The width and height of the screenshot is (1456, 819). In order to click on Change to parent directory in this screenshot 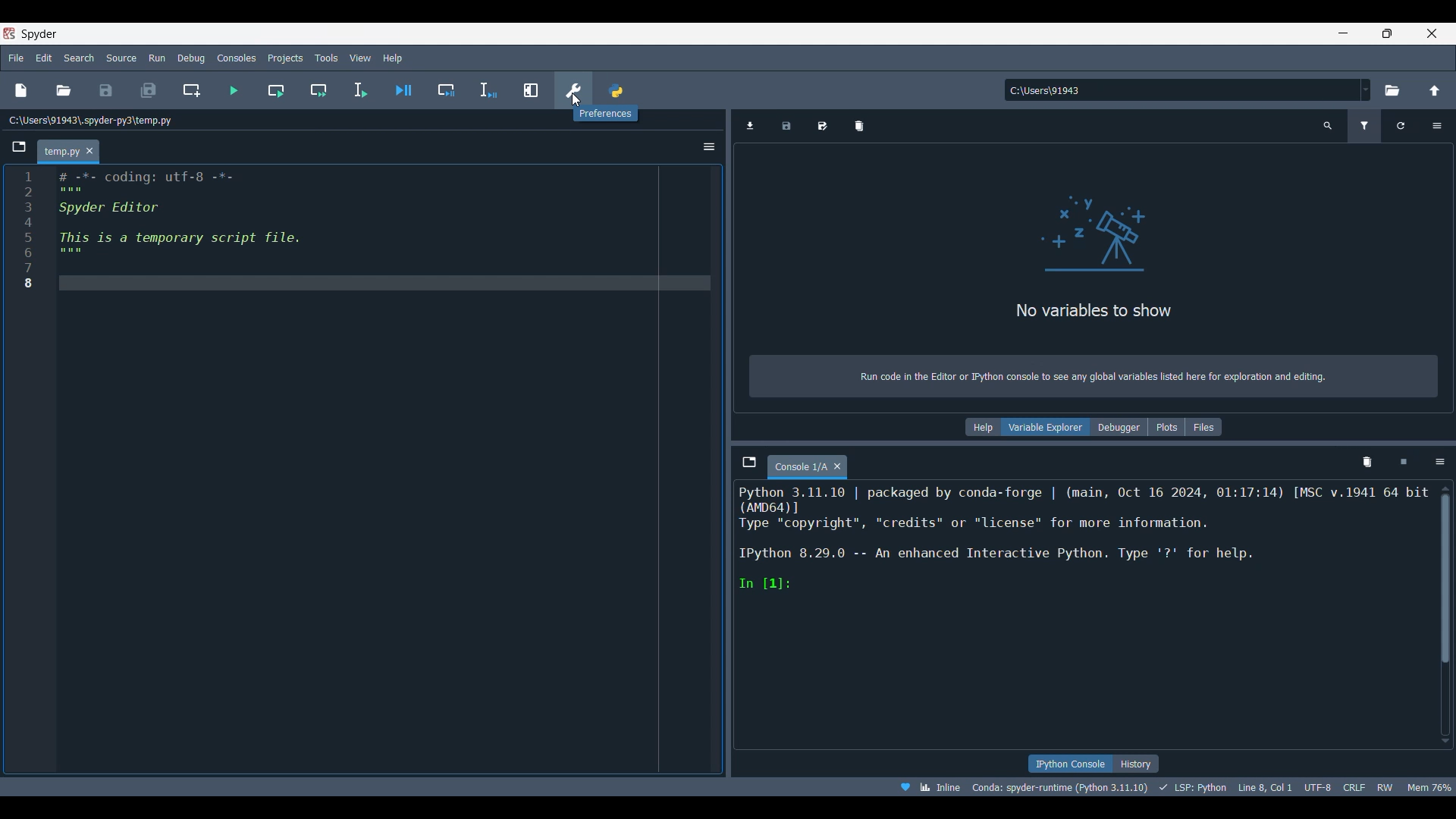, I will do `click(1435, 90)`.